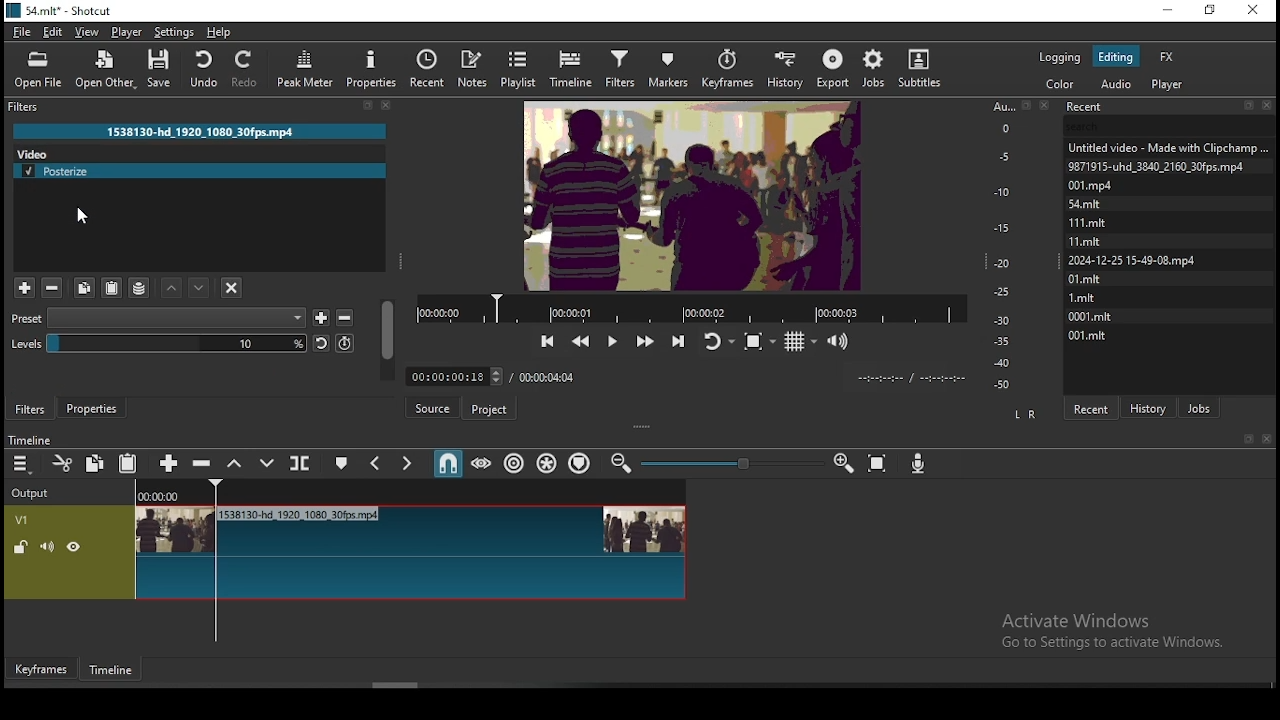 This screenshot has height=720, width=1280. What do you see at coordinates (342, 461) in the screenshot?
I see `create/edit marker` at bounding box center [342, 461].